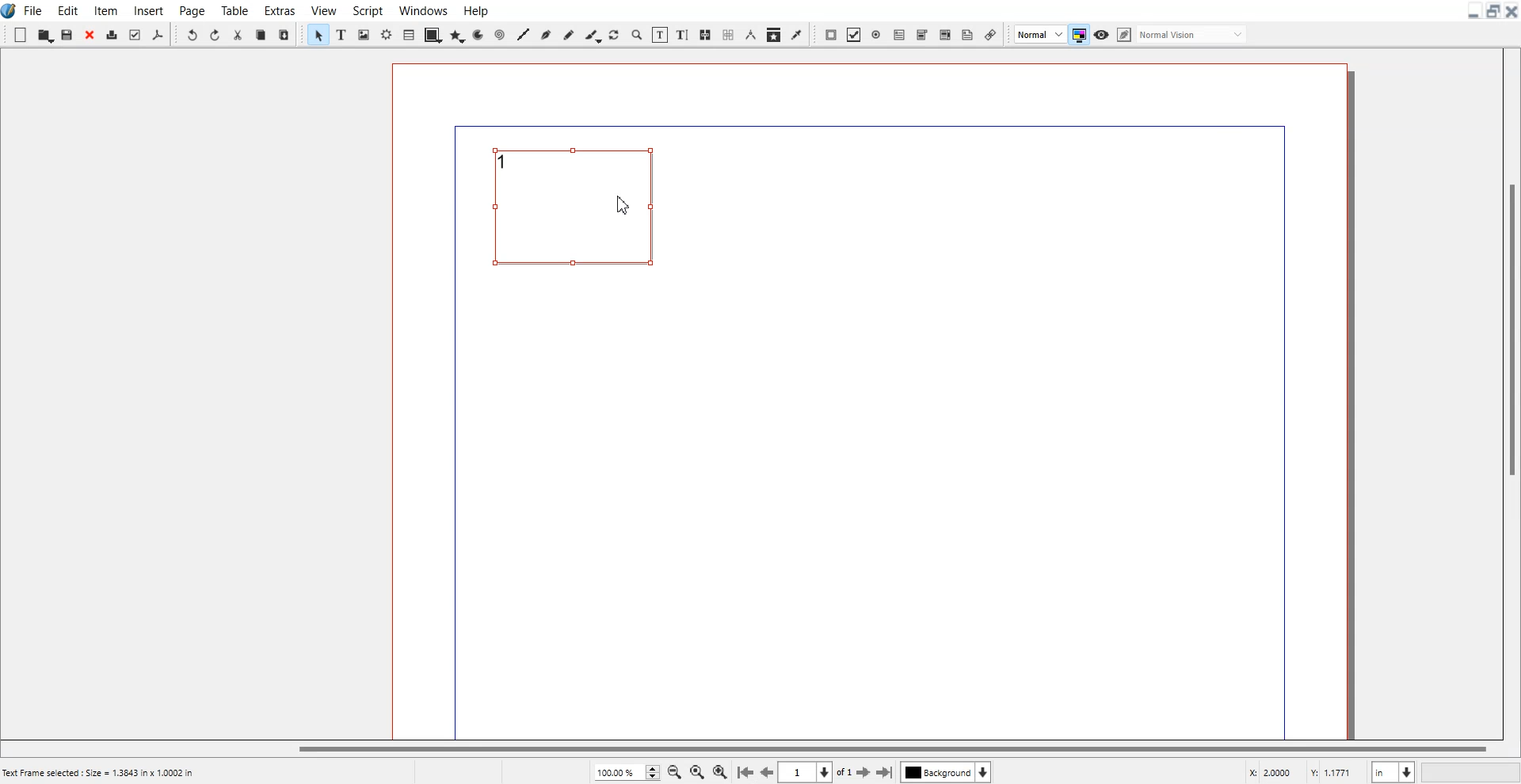  Describe the element at coordinates (726, 35) in the screenshot. I see `Unlink Text Frame` at that location.